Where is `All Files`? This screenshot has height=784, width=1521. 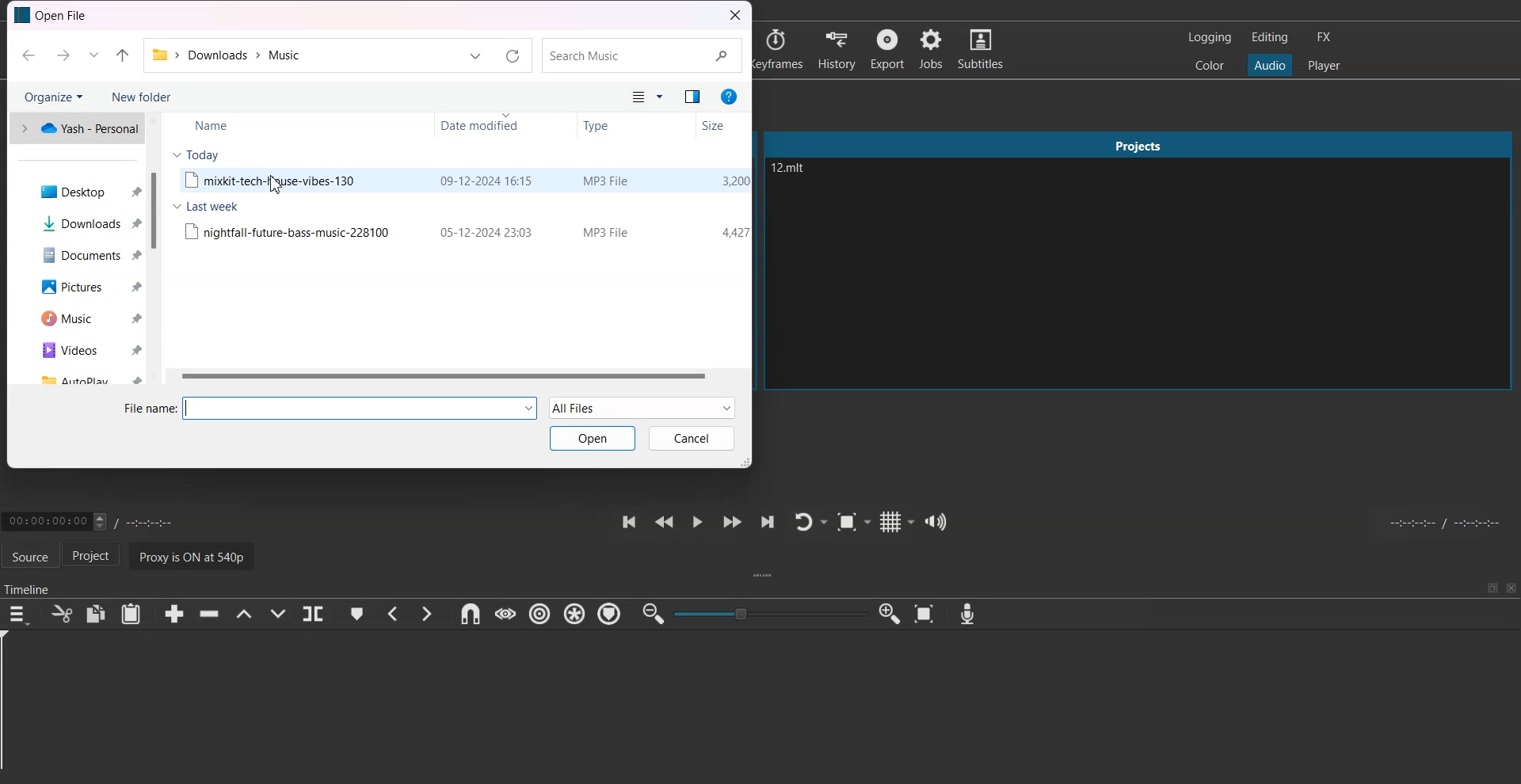
All Files is located at coordinates (642, 408).